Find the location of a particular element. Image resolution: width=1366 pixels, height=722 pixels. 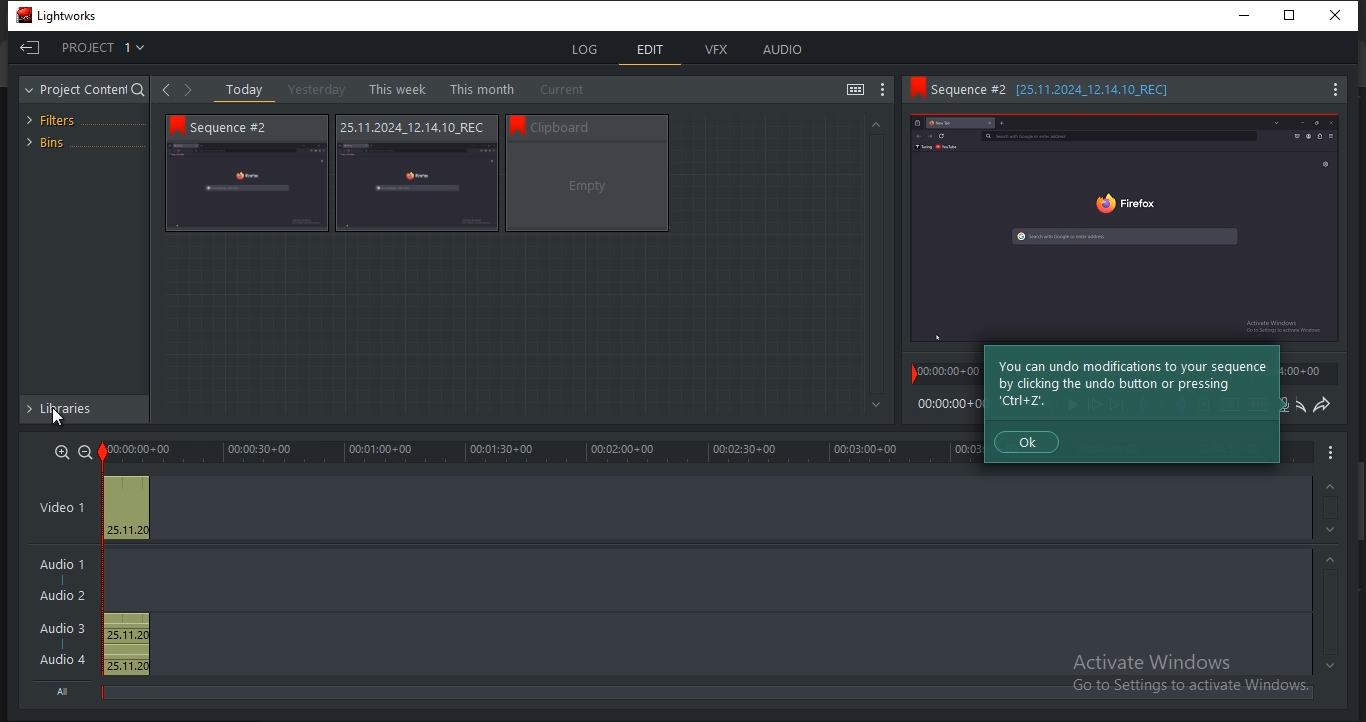

video 1 is located at coordinates (65, 506).